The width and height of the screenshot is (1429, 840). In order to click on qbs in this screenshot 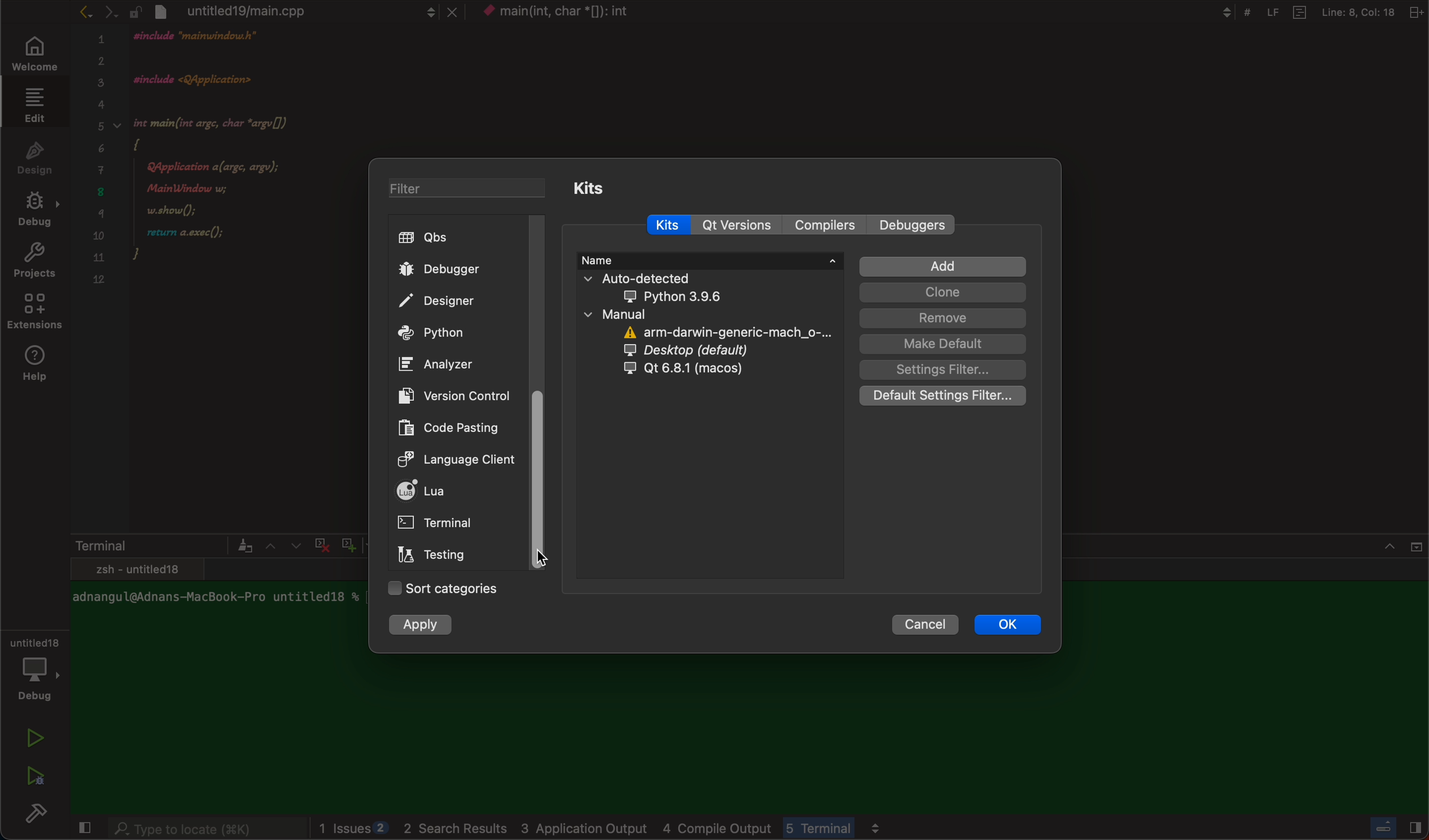, I will do `click(461, 238)`.